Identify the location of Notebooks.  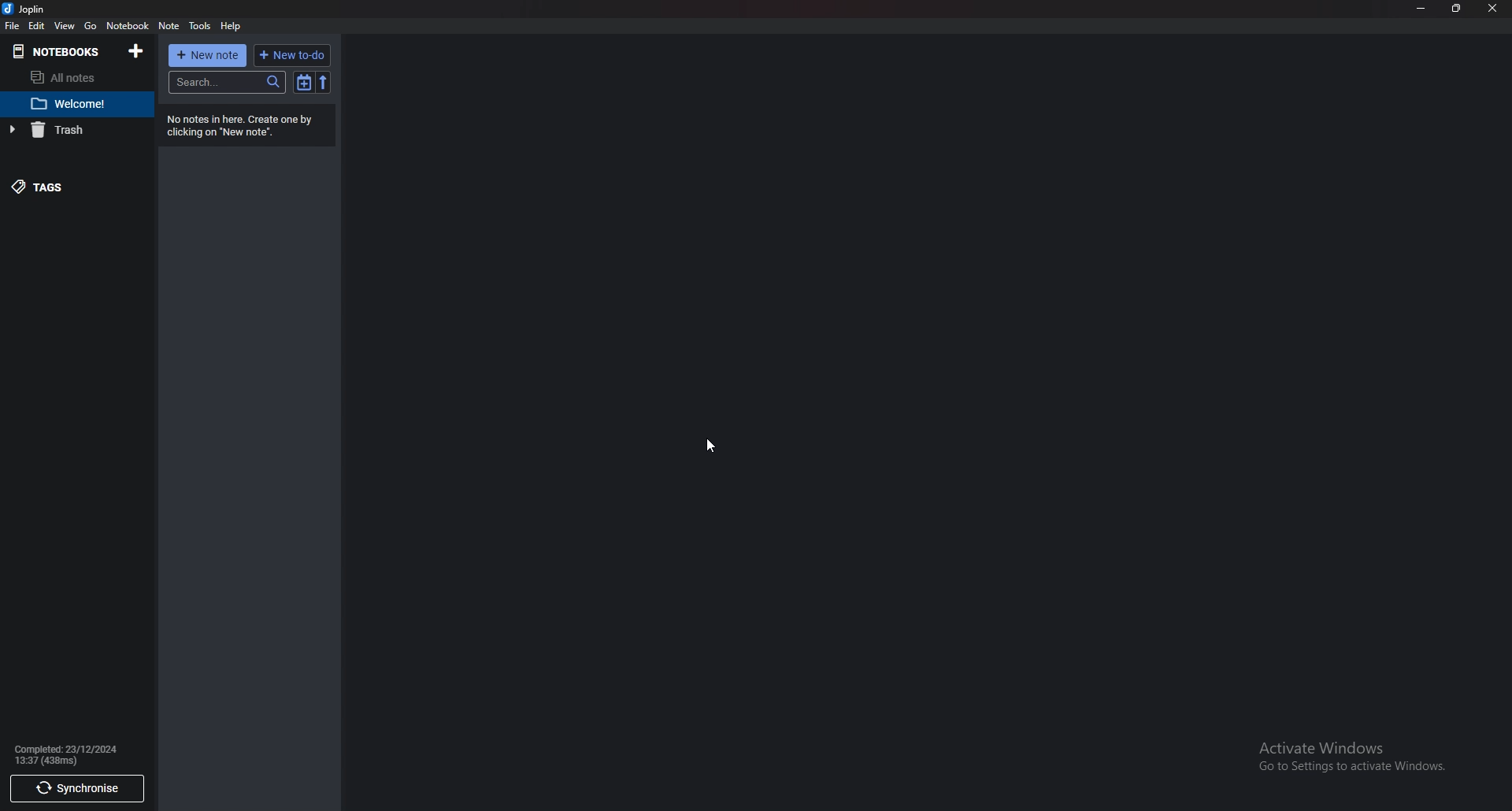
(56, 51).